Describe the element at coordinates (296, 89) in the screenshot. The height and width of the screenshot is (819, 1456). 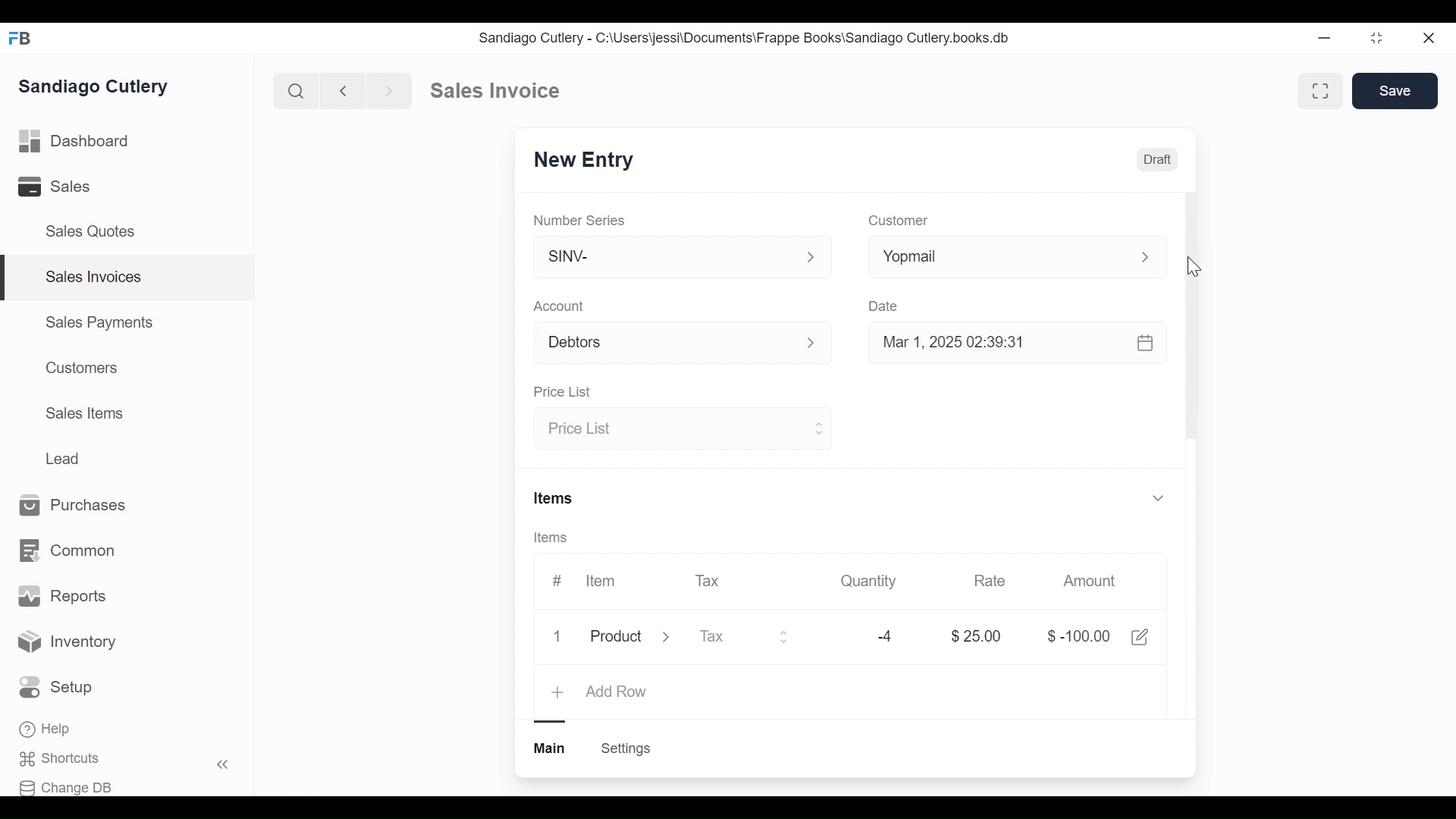
I see `Search` at that location.